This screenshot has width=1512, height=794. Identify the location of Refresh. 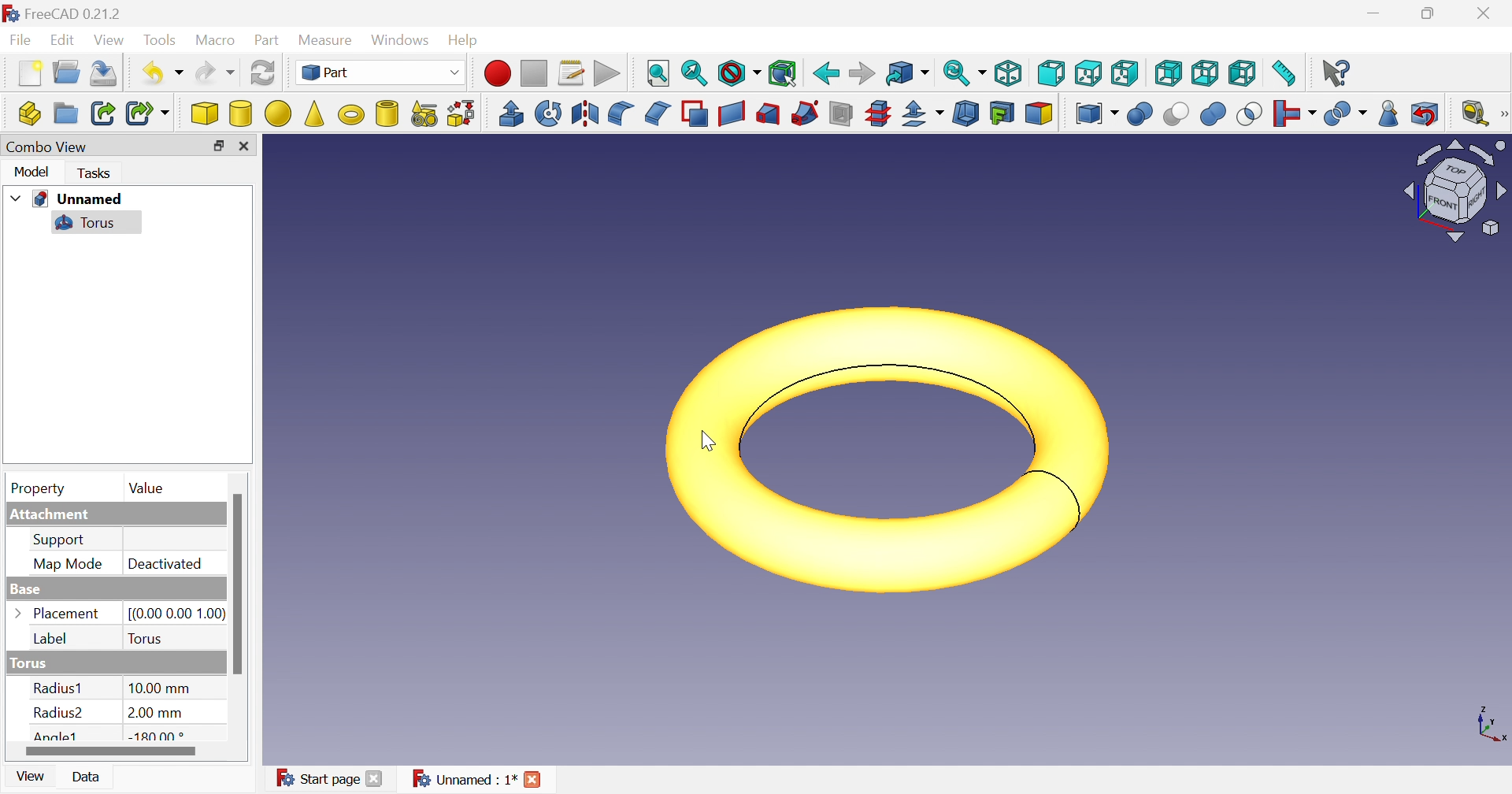
(106, 72).